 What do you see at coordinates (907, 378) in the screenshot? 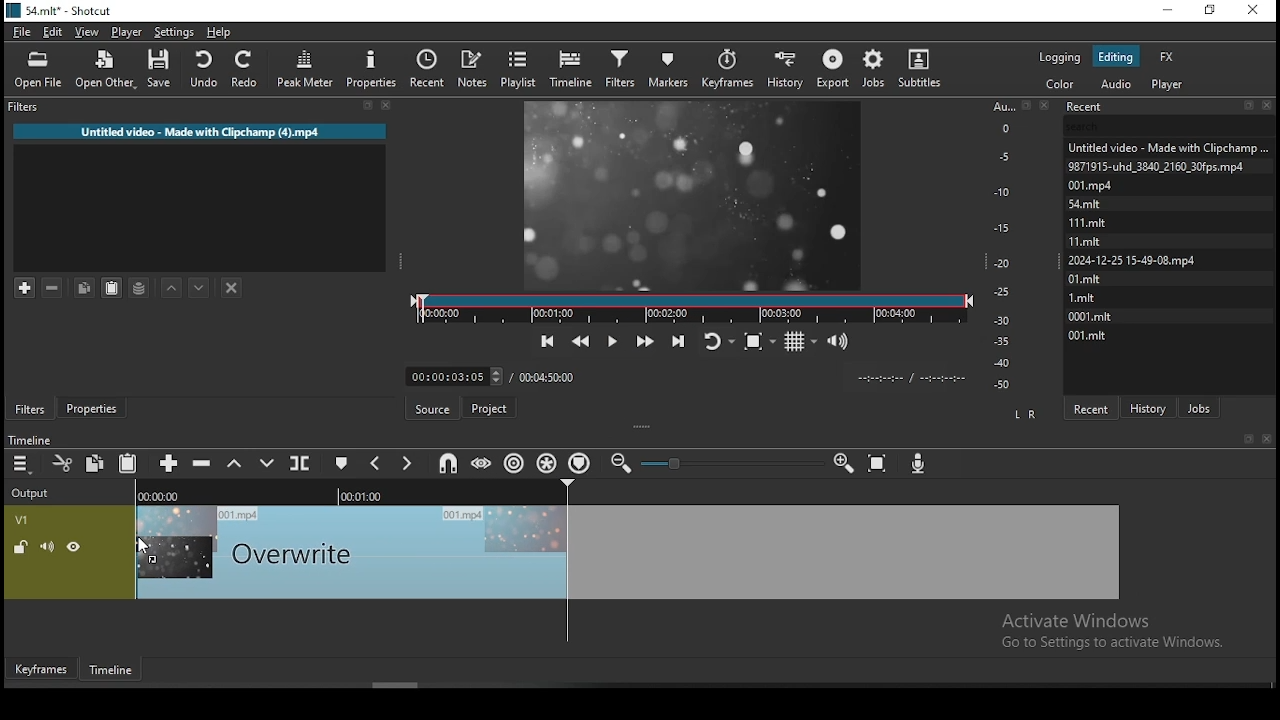
I see `timer` at bounding box center [907, 378].